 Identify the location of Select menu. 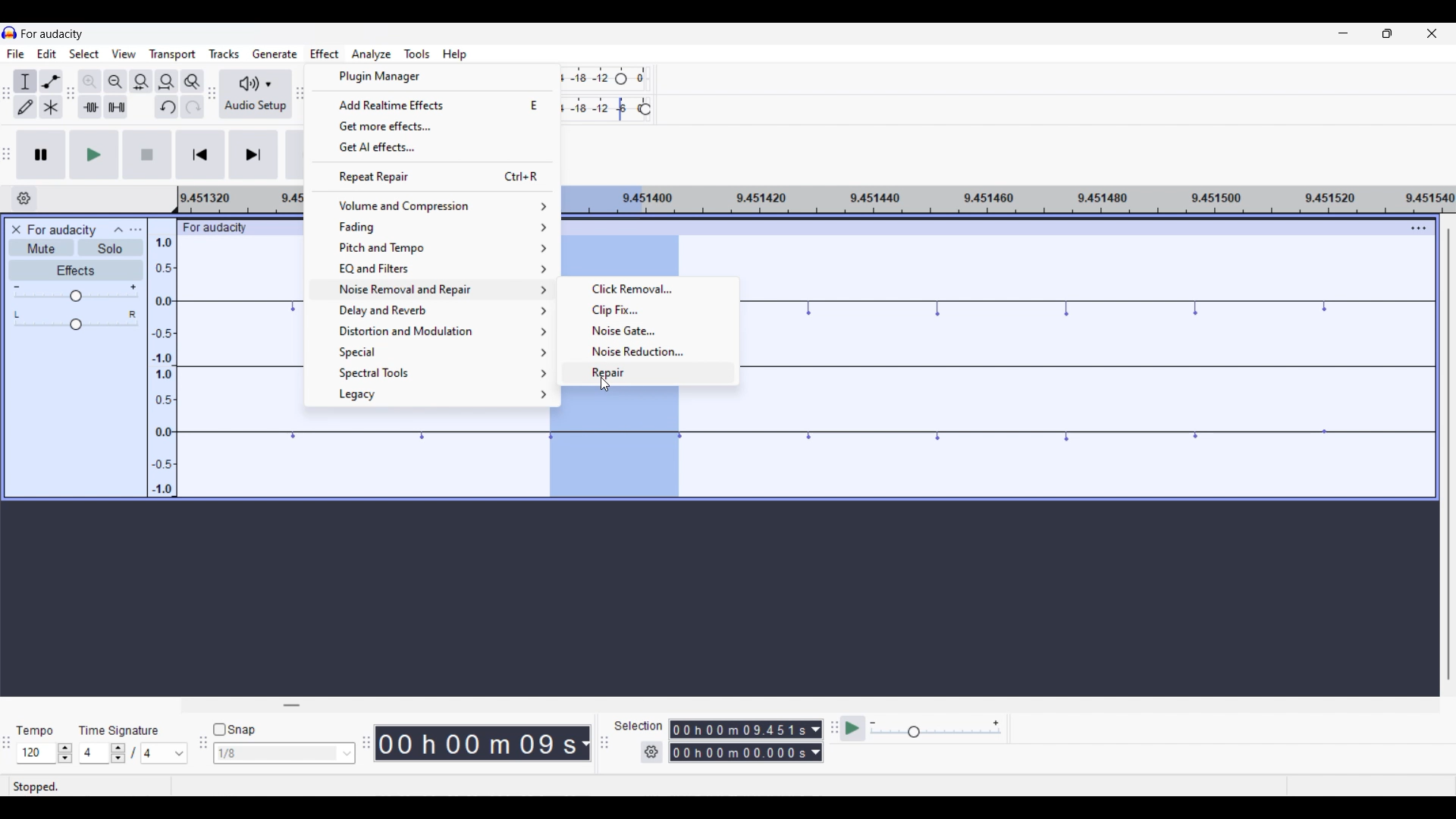
(85, 54).